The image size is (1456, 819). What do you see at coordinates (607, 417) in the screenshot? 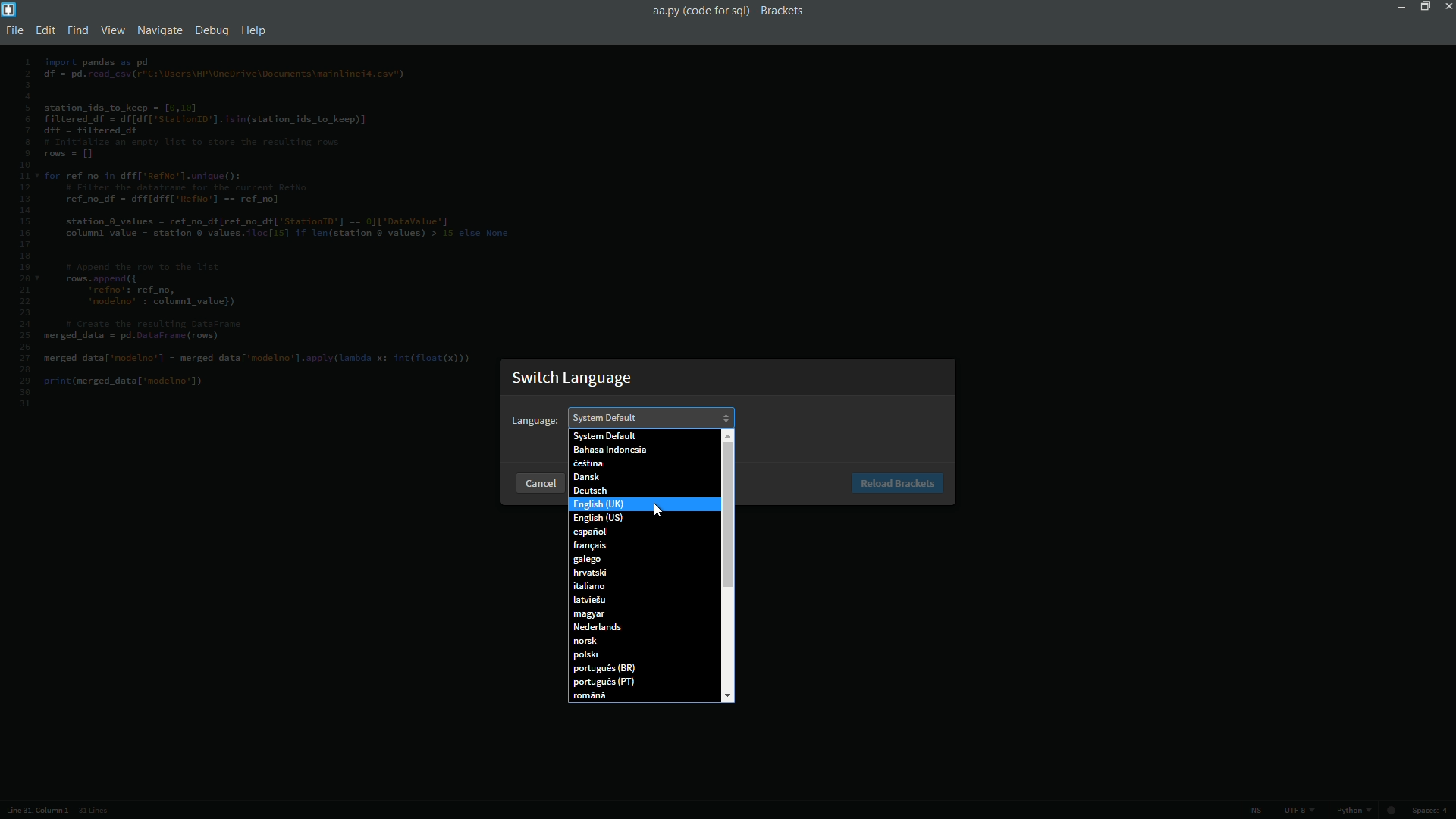
I see `system default` at bounding box center [607, 417].